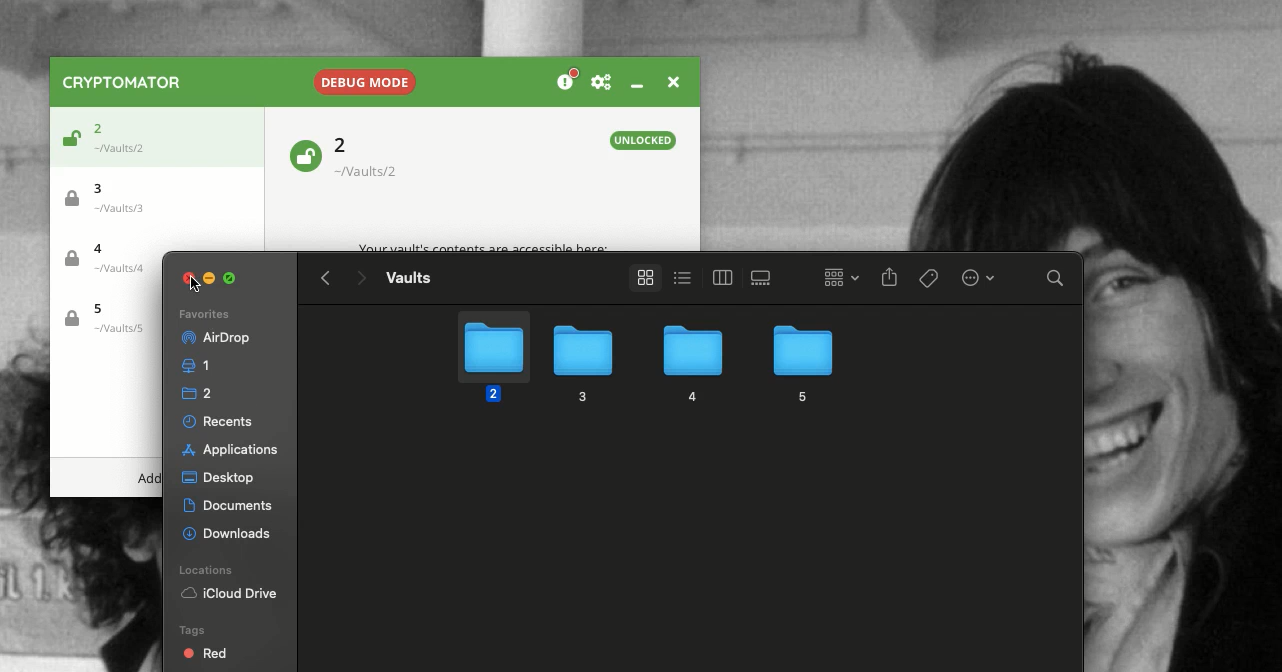  I want to click on Orange, so click(216, 656).